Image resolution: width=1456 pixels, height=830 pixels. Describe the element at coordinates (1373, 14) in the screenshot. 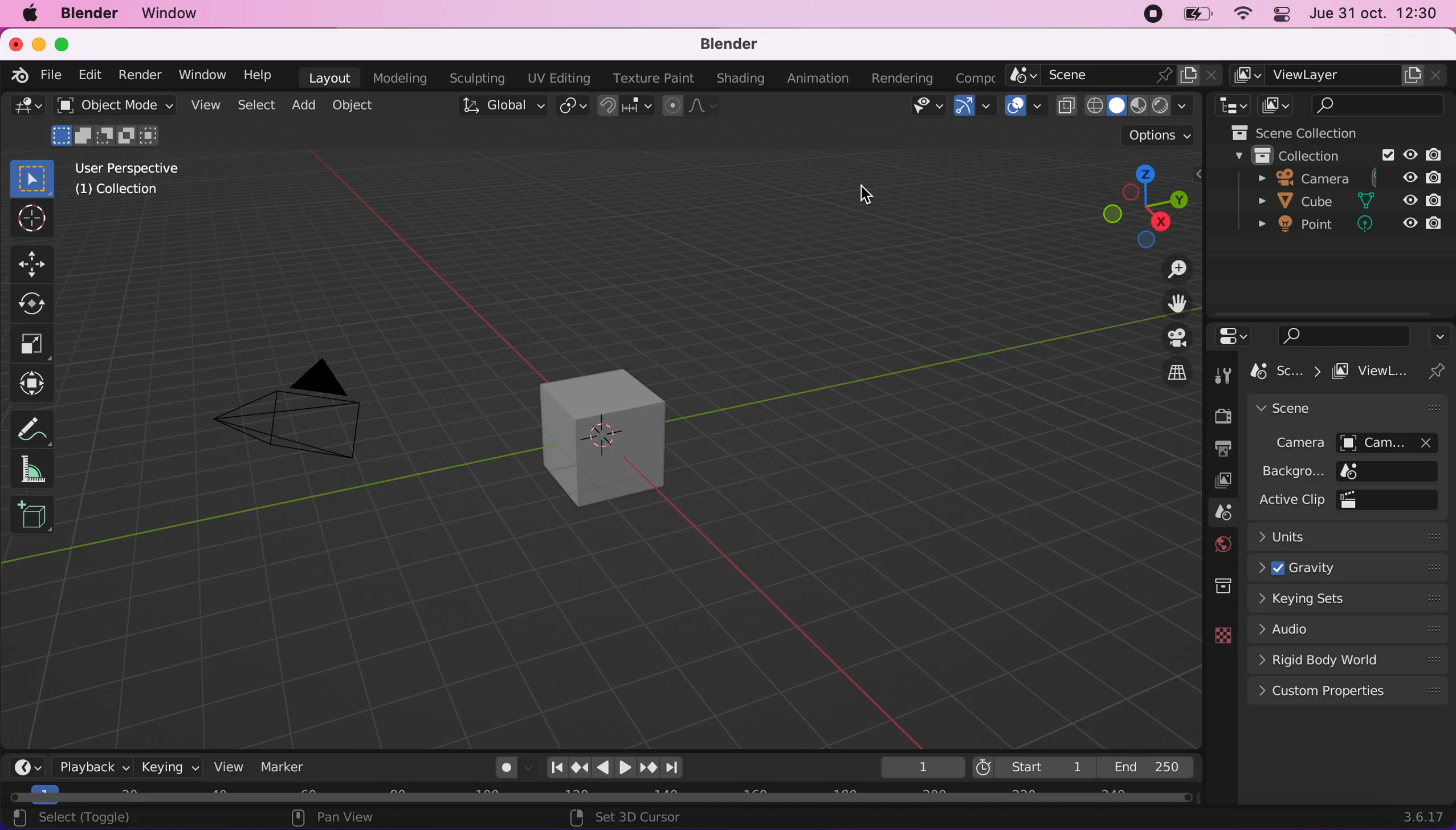

I see `jue 31 oct 12:30` at that location.